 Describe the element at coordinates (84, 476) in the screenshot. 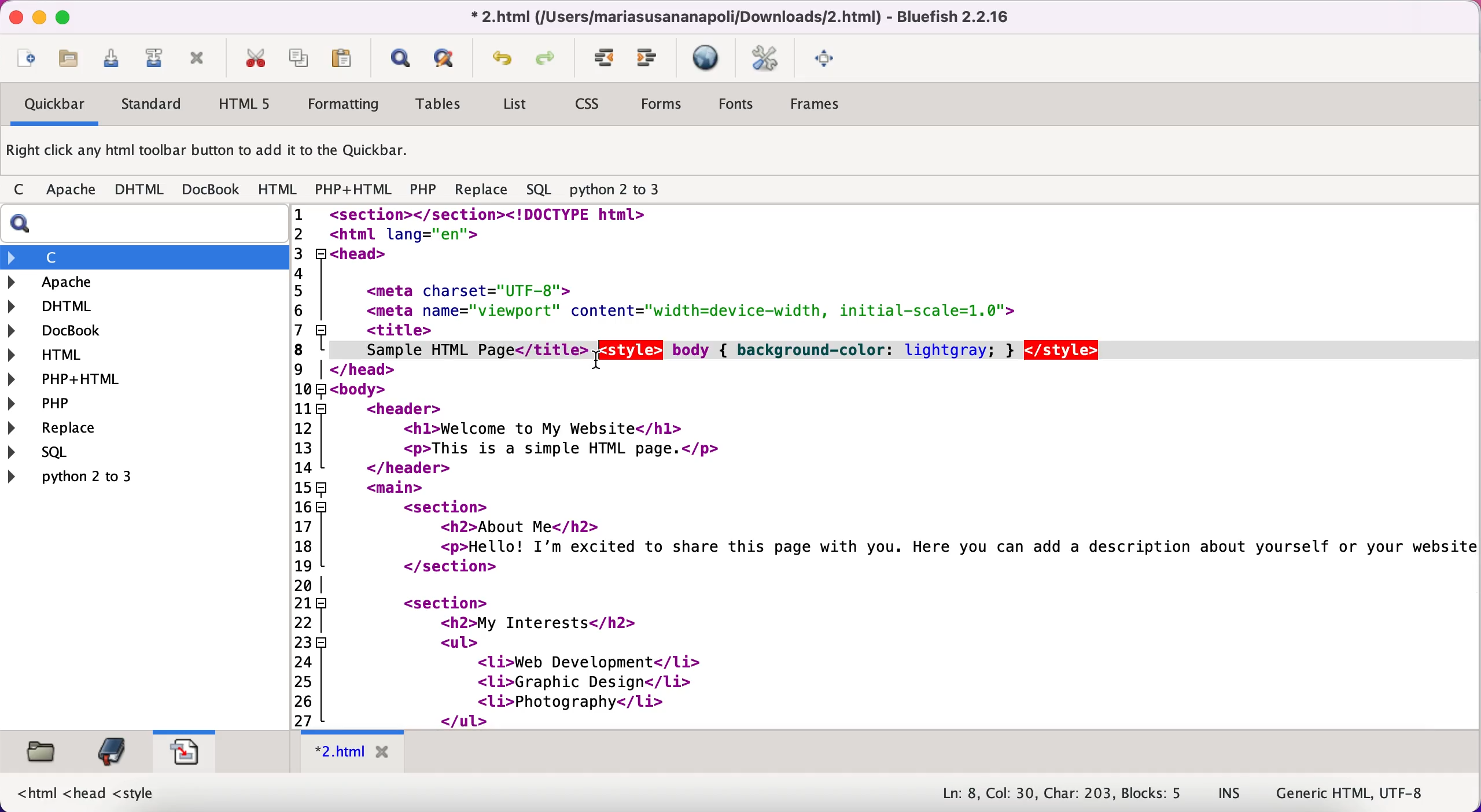

I see `python 2 to 3` at that location.